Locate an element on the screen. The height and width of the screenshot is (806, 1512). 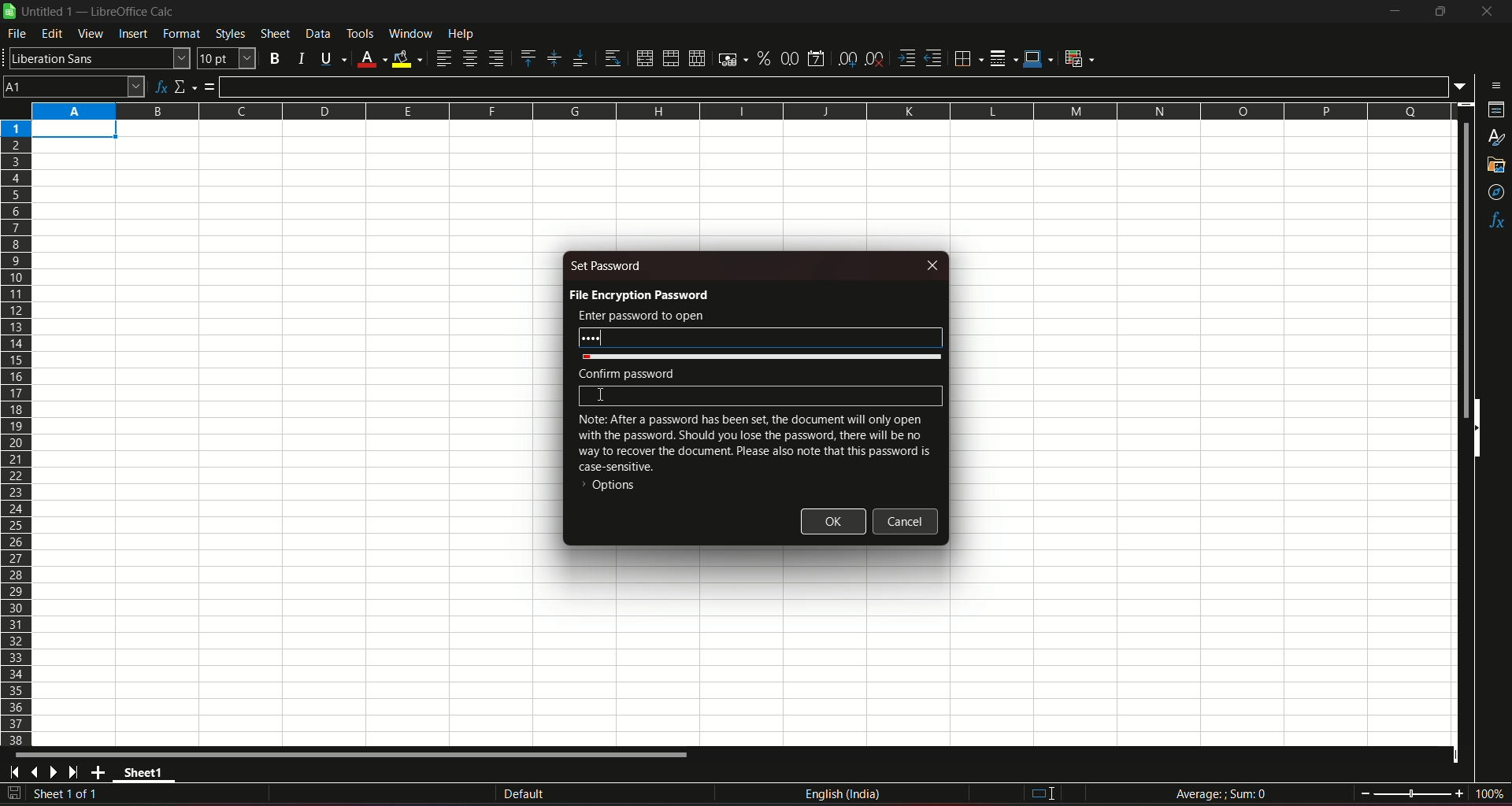
expand formula is located at coordinates (1462, 87).